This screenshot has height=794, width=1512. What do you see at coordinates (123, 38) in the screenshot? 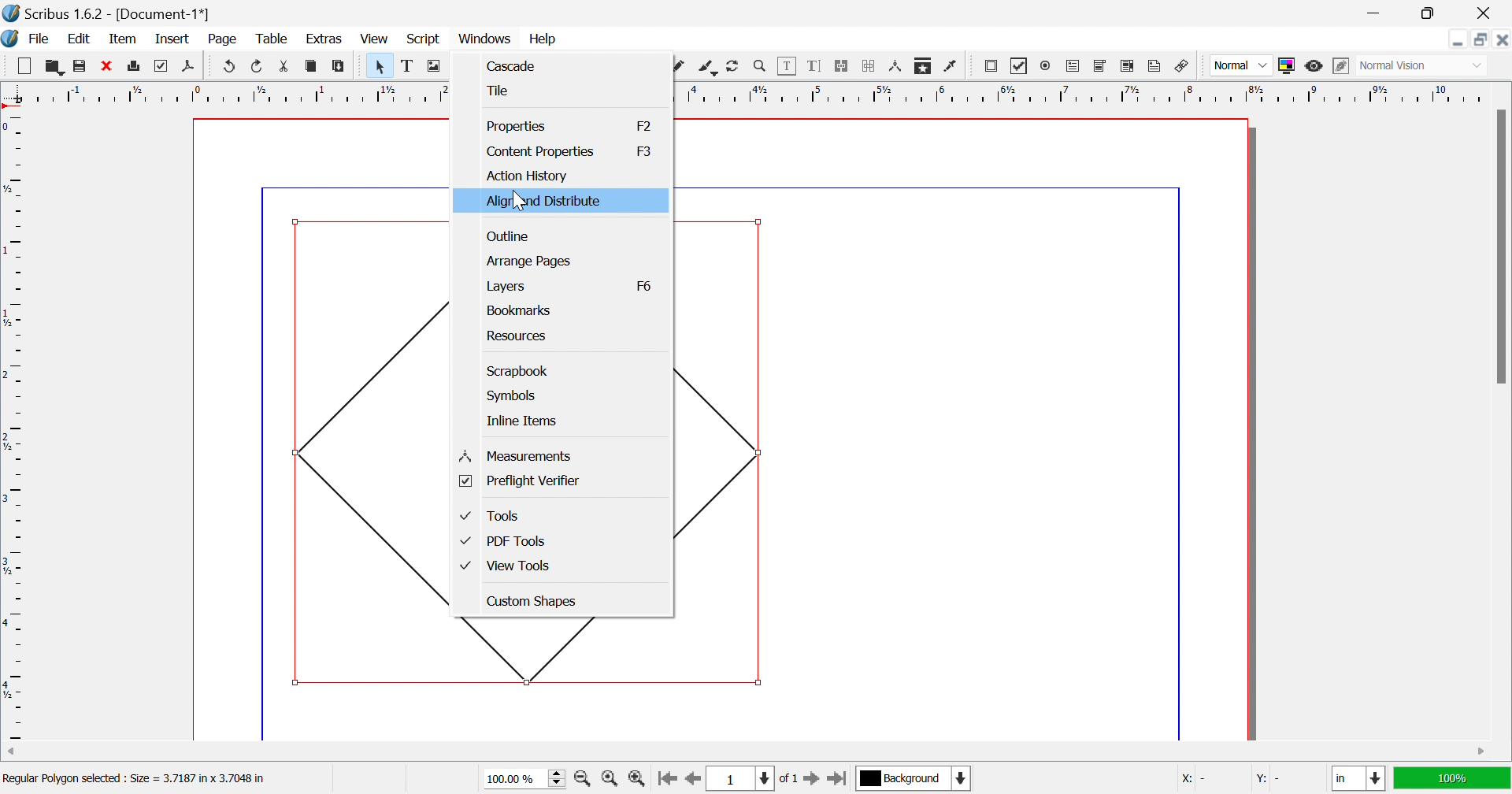
I see `Item` at bounding box center [123, 38].